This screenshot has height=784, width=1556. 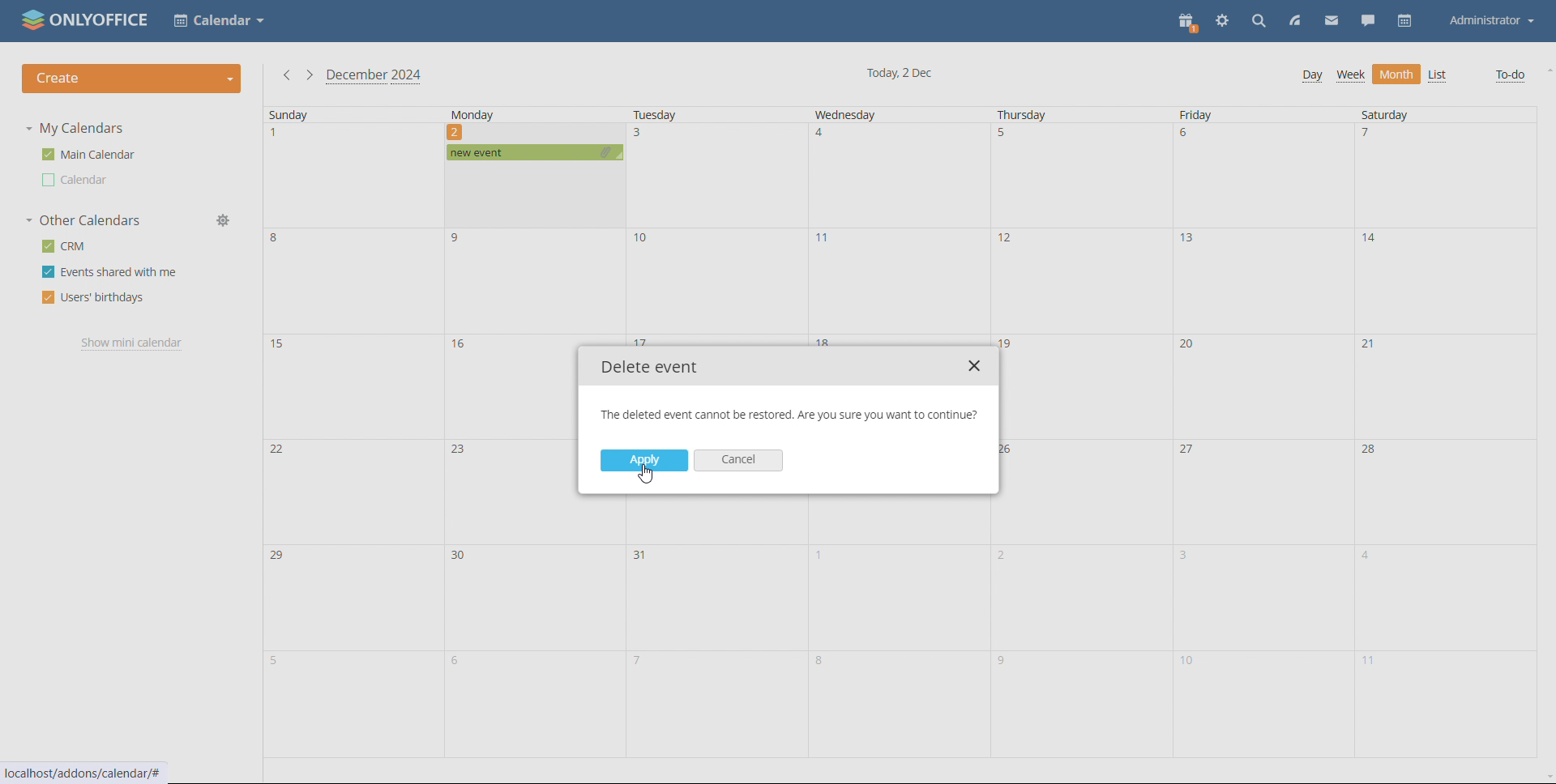 I want to click on The deleted event cannot be restored. Are you sure you want to continue?, so click(x=791, y=415).